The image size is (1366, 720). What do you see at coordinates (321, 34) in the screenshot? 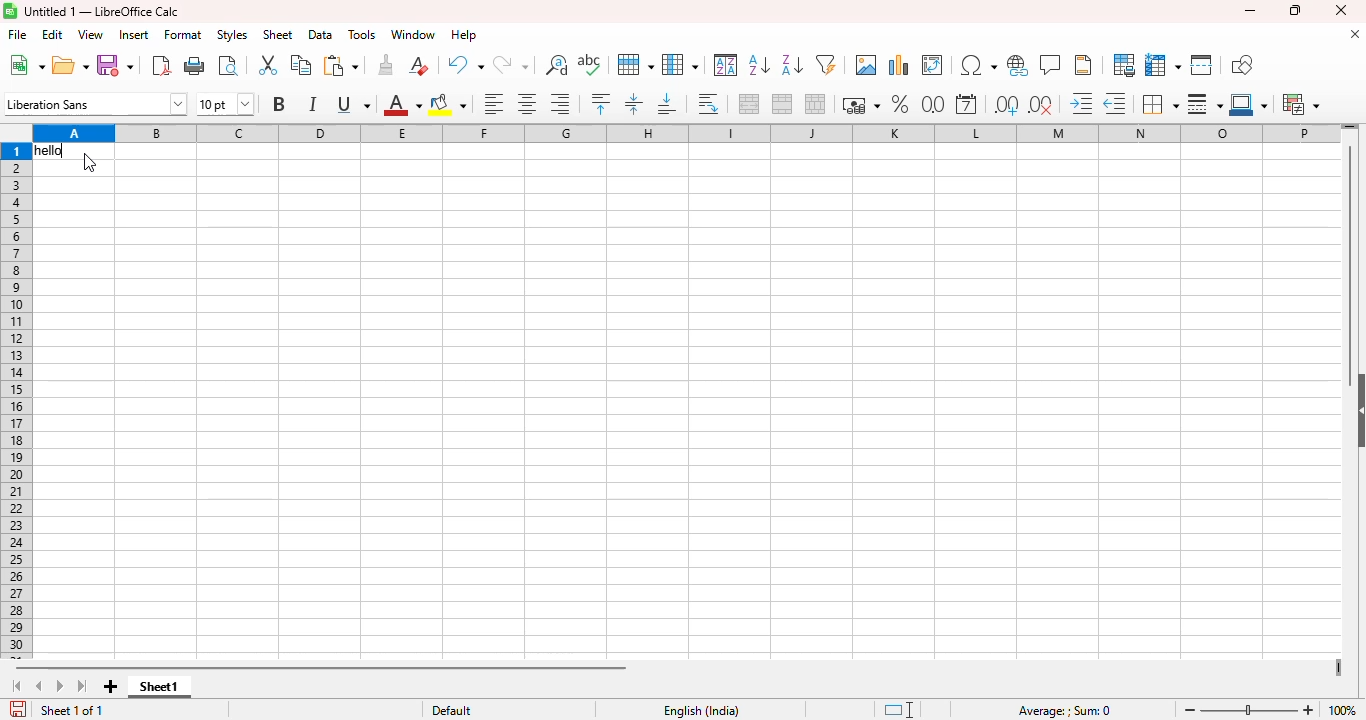
I see `data` at bounding box center [321, 34].